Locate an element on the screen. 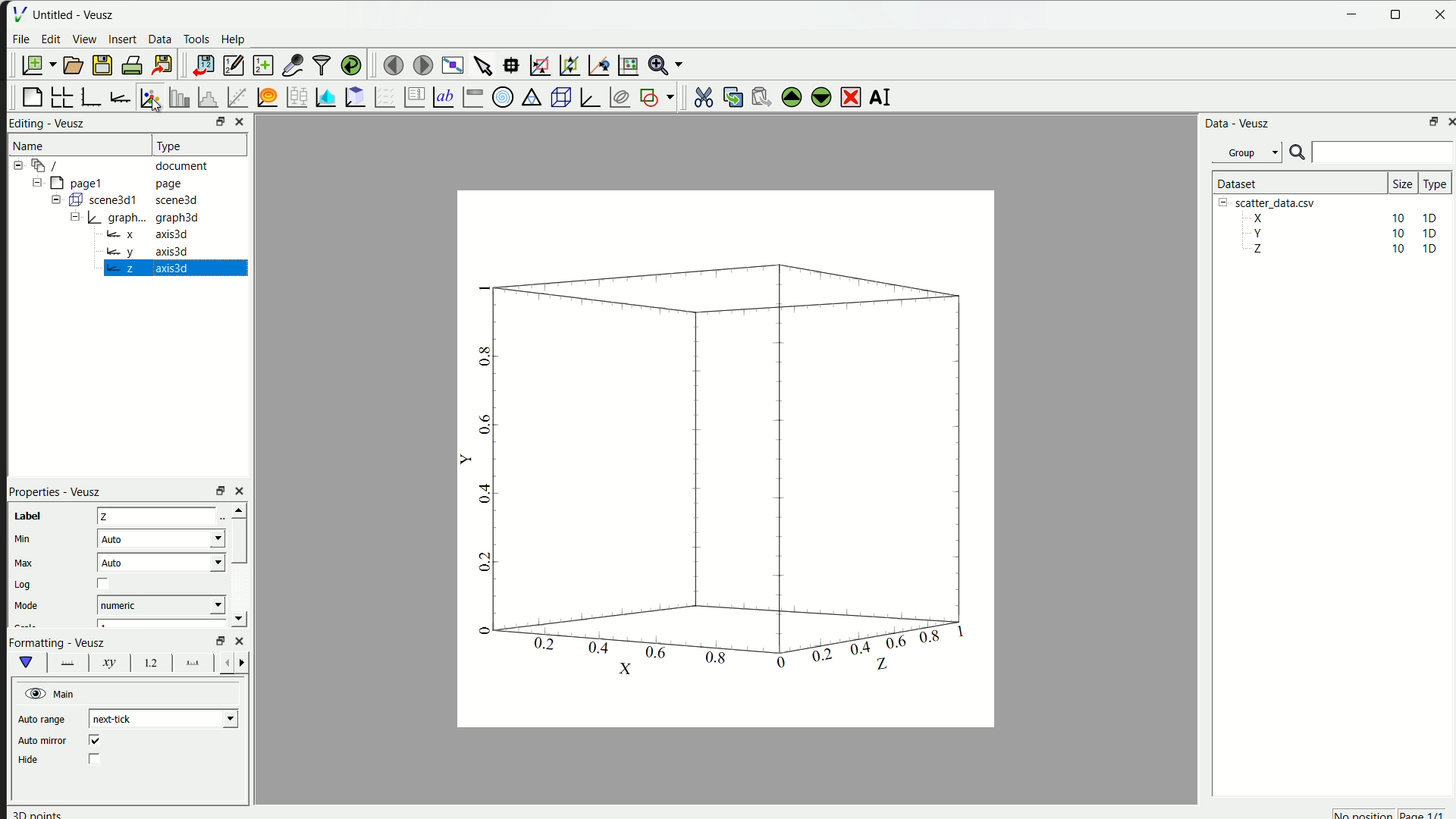 The height and width of the screenshot is (819, 1456). print document is located at coordinates (132, 65).